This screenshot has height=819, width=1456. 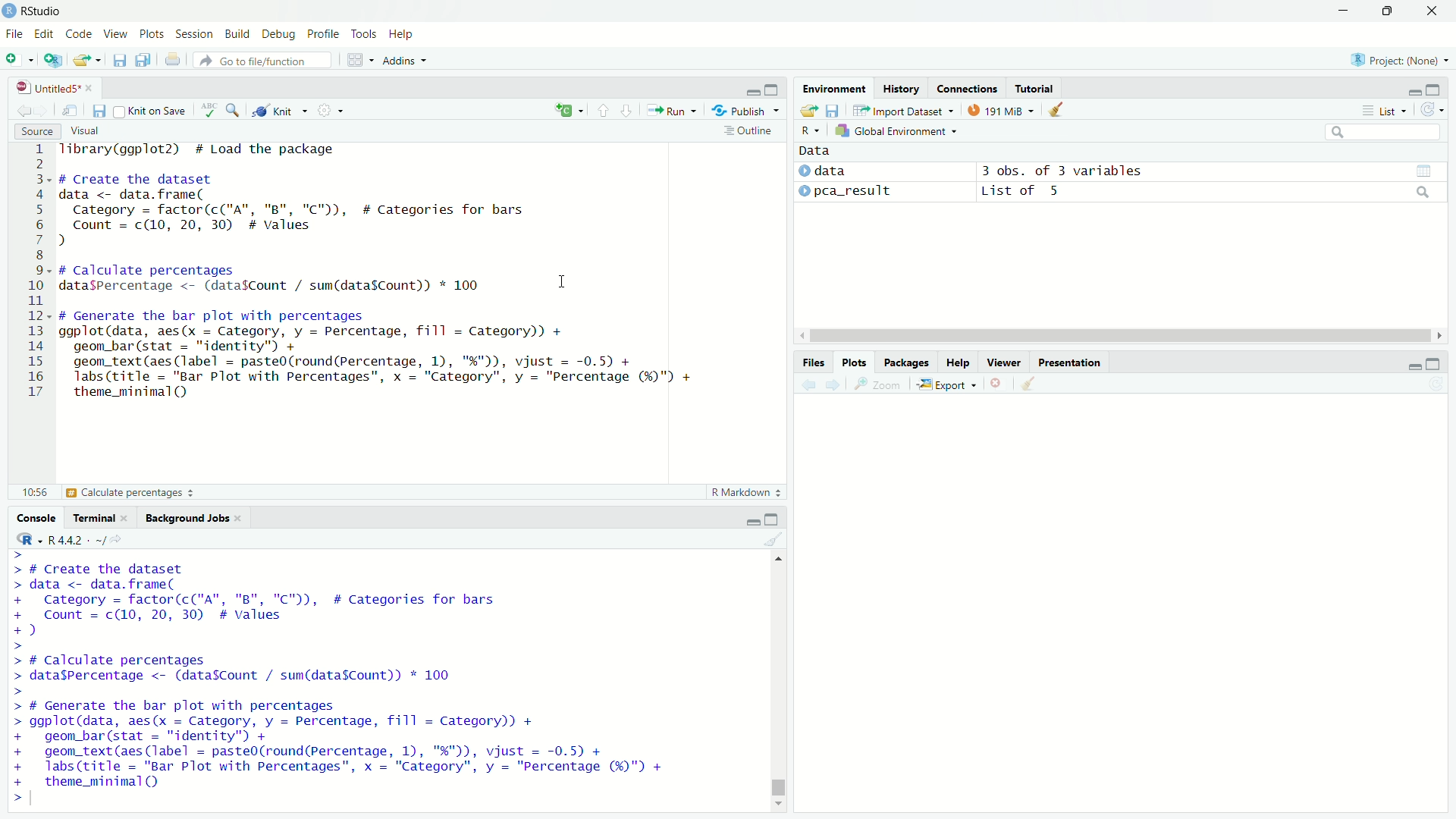 What do you see at coordinates (604, 111) in the screenshot?
I see `go to previous section ` at bounding box center [604, 111].